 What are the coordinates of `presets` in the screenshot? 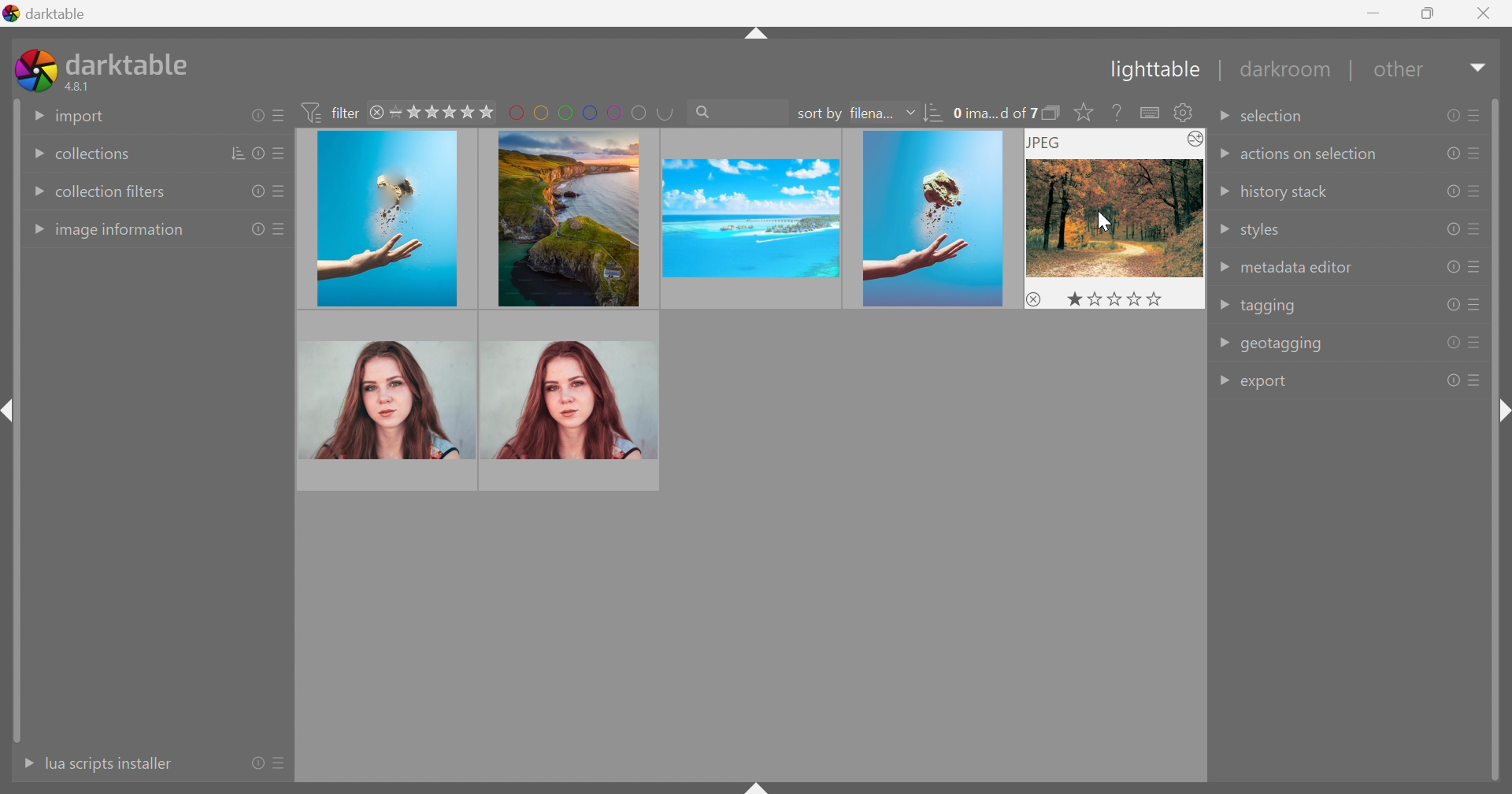 It's located at (1475, 113).